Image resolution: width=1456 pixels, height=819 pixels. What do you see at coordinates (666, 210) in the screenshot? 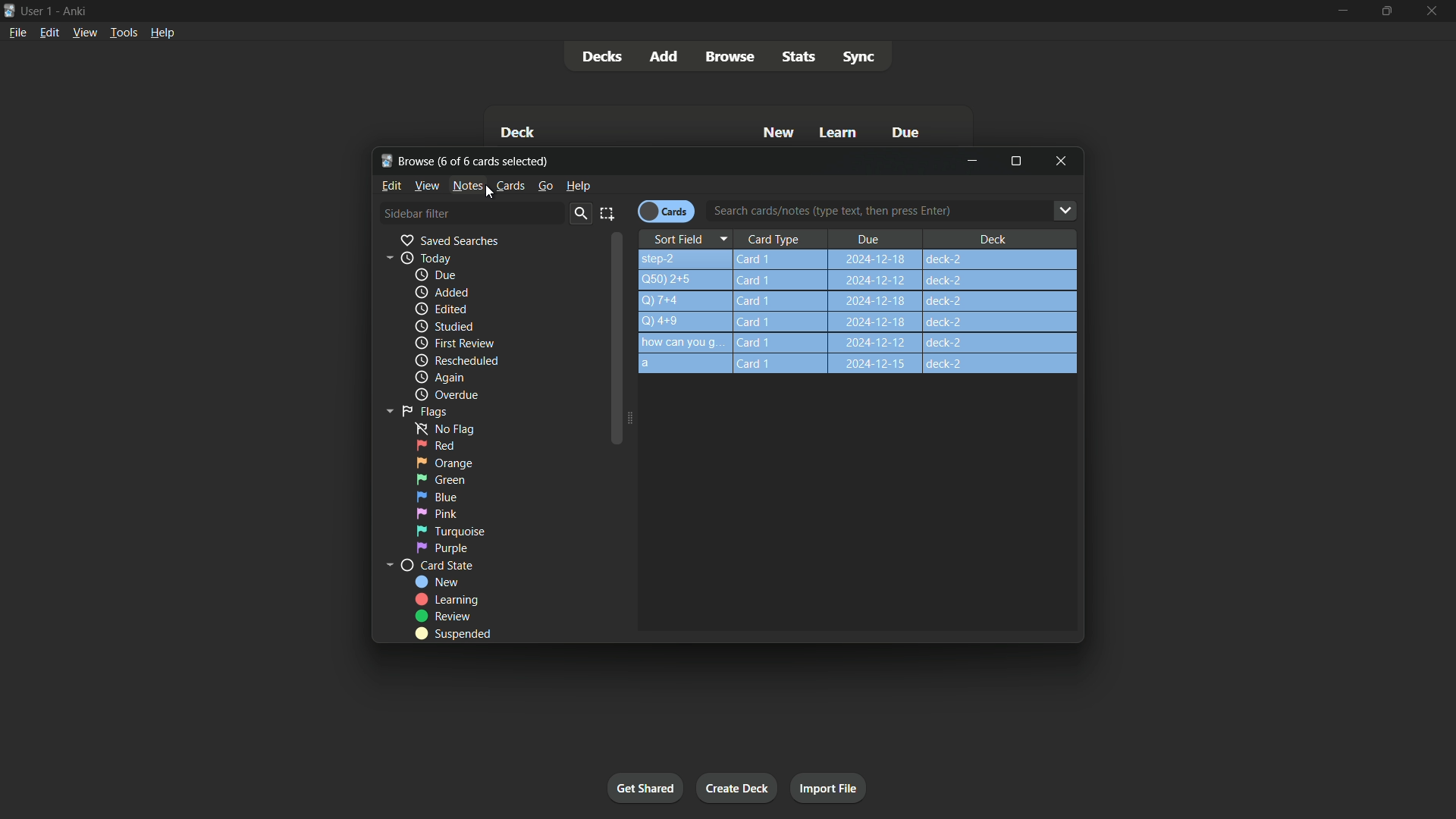
I see `Cards` at bounding box center [666, 210].